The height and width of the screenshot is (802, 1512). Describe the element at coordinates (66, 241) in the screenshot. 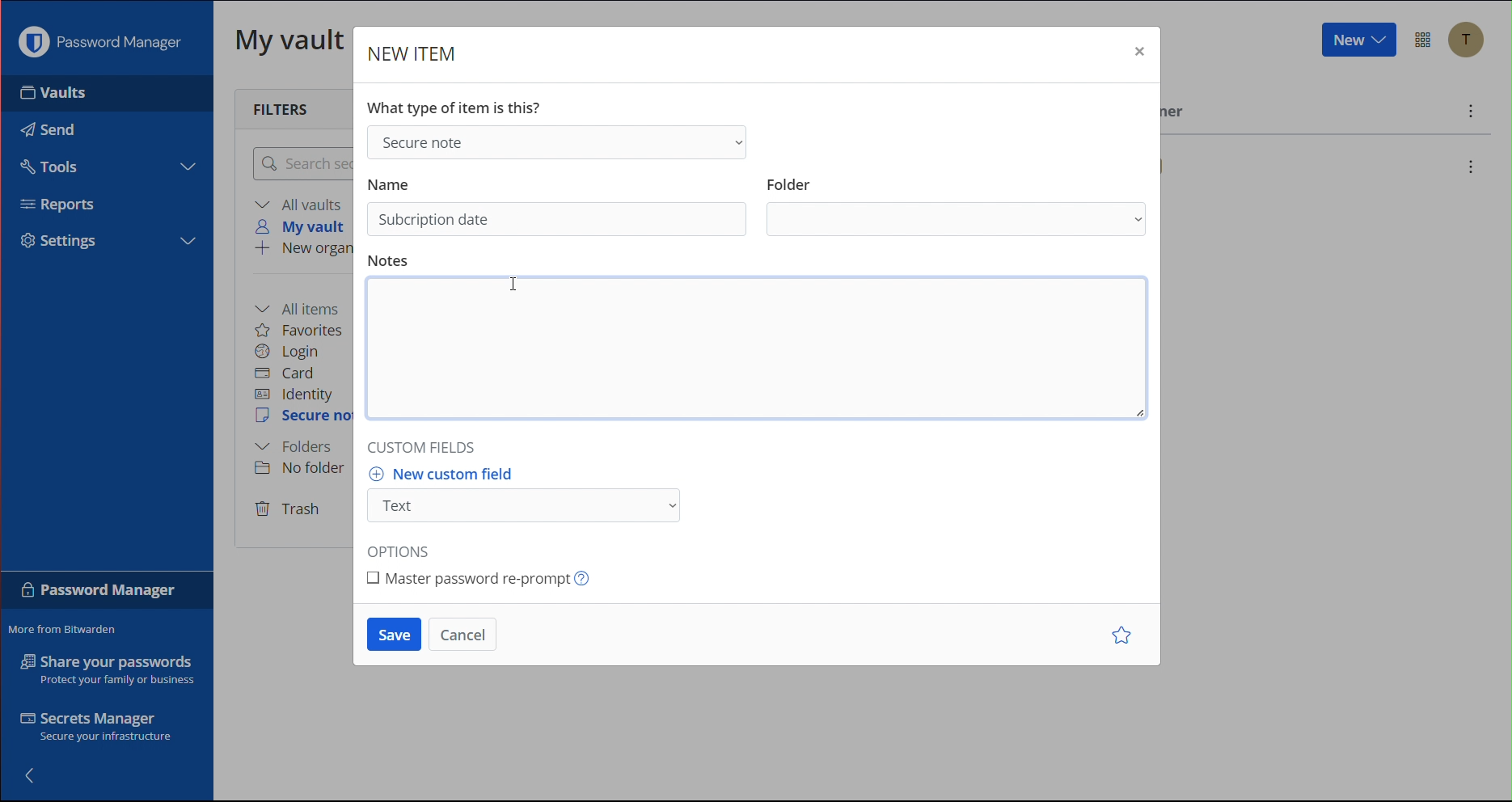

I see `Settings` at that location.